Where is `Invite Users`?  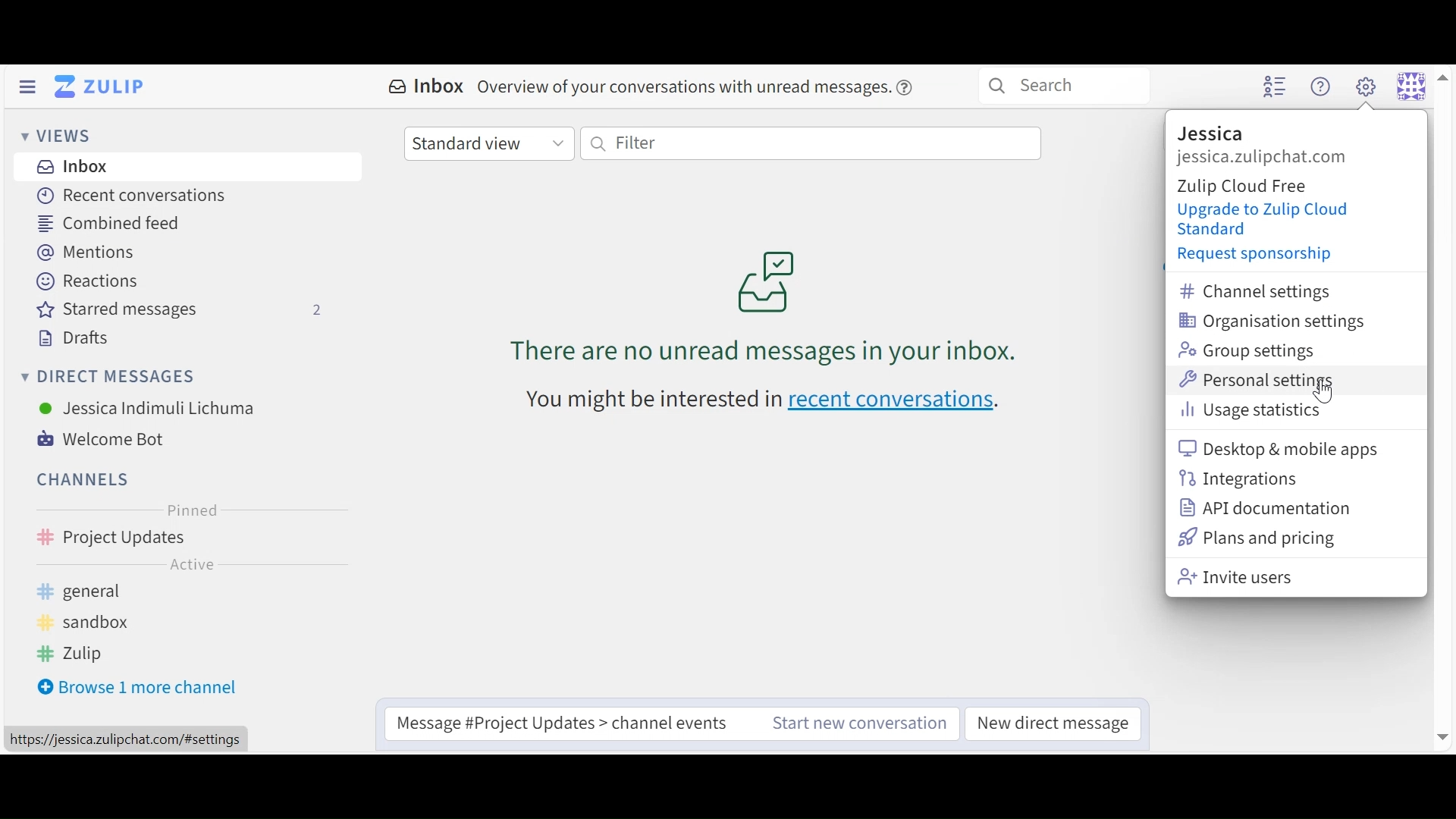 Invite Users is located at coordinates (1235, 576).